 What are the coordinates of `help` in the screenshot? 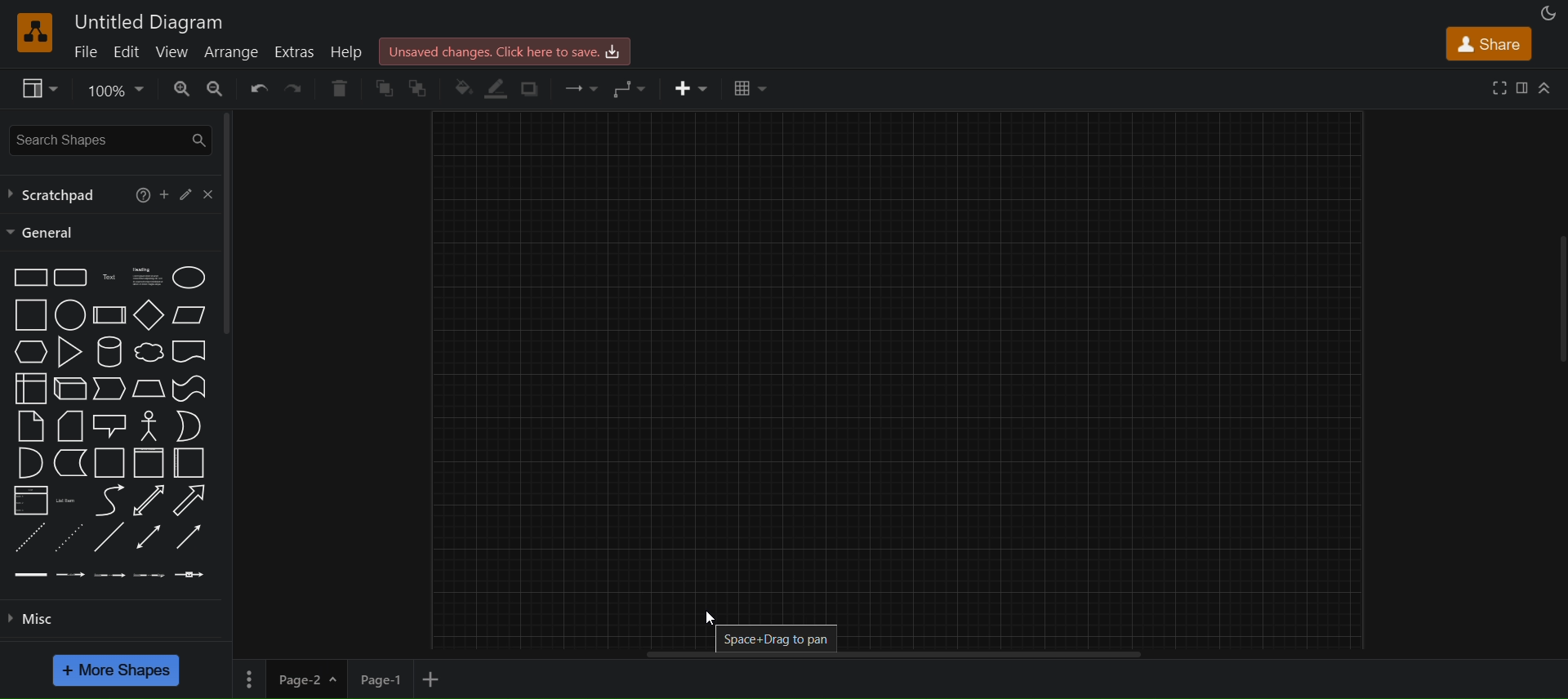 It's located at (140, 195).